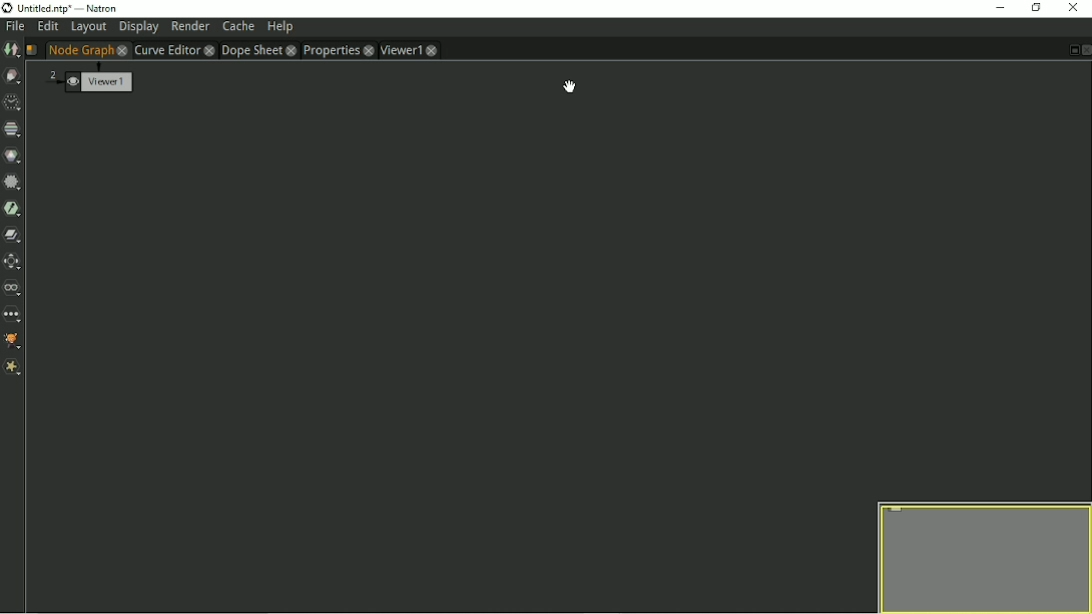 This screenshot has width=1092, height=614. What do you see at coordinates (14, 314) in the screenshot?
I see `Other` at bounding box center [14, 314].